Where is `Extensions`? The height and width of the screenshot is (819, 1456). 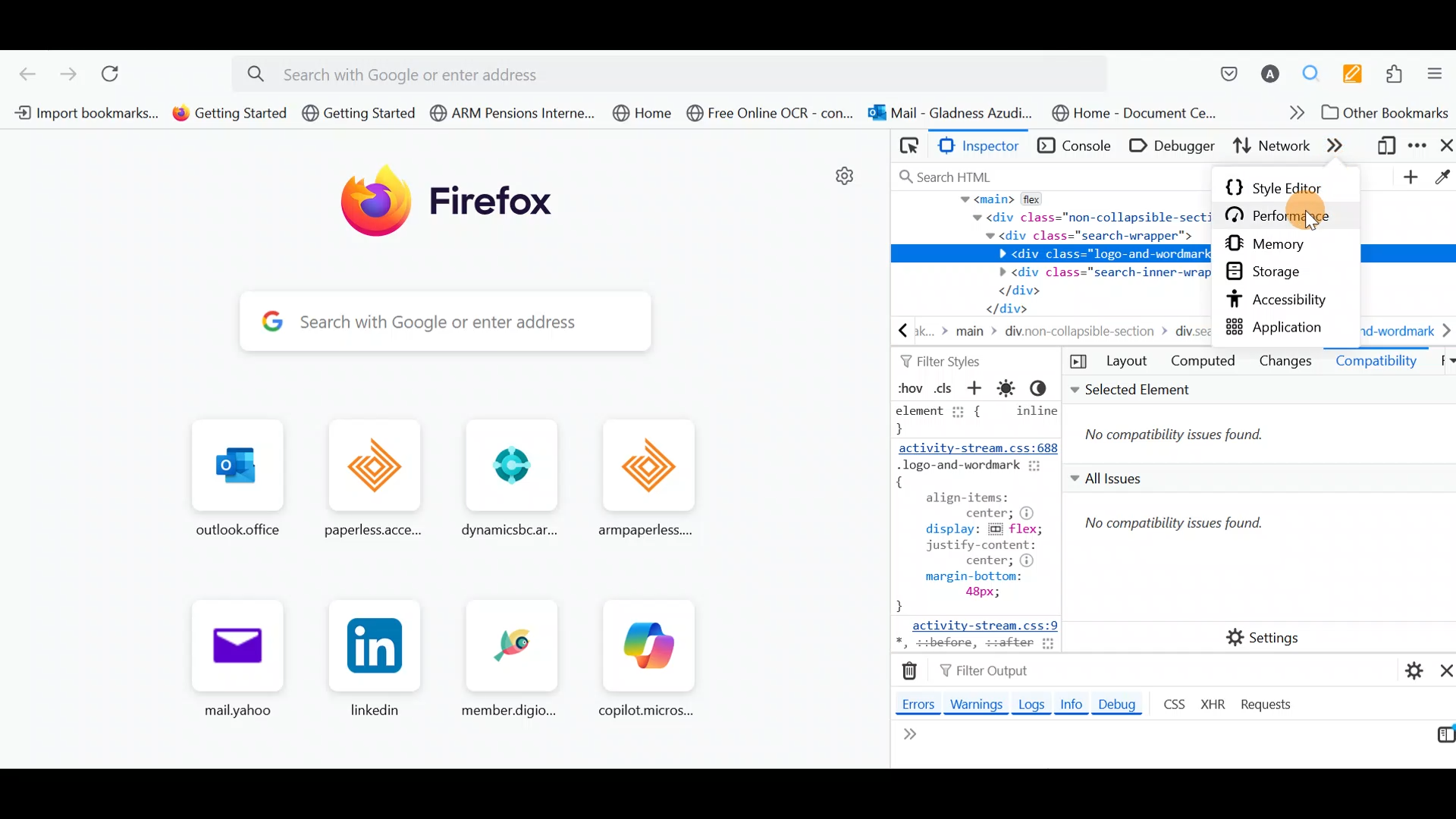
Extensions is located at coordinates (1399, 76).